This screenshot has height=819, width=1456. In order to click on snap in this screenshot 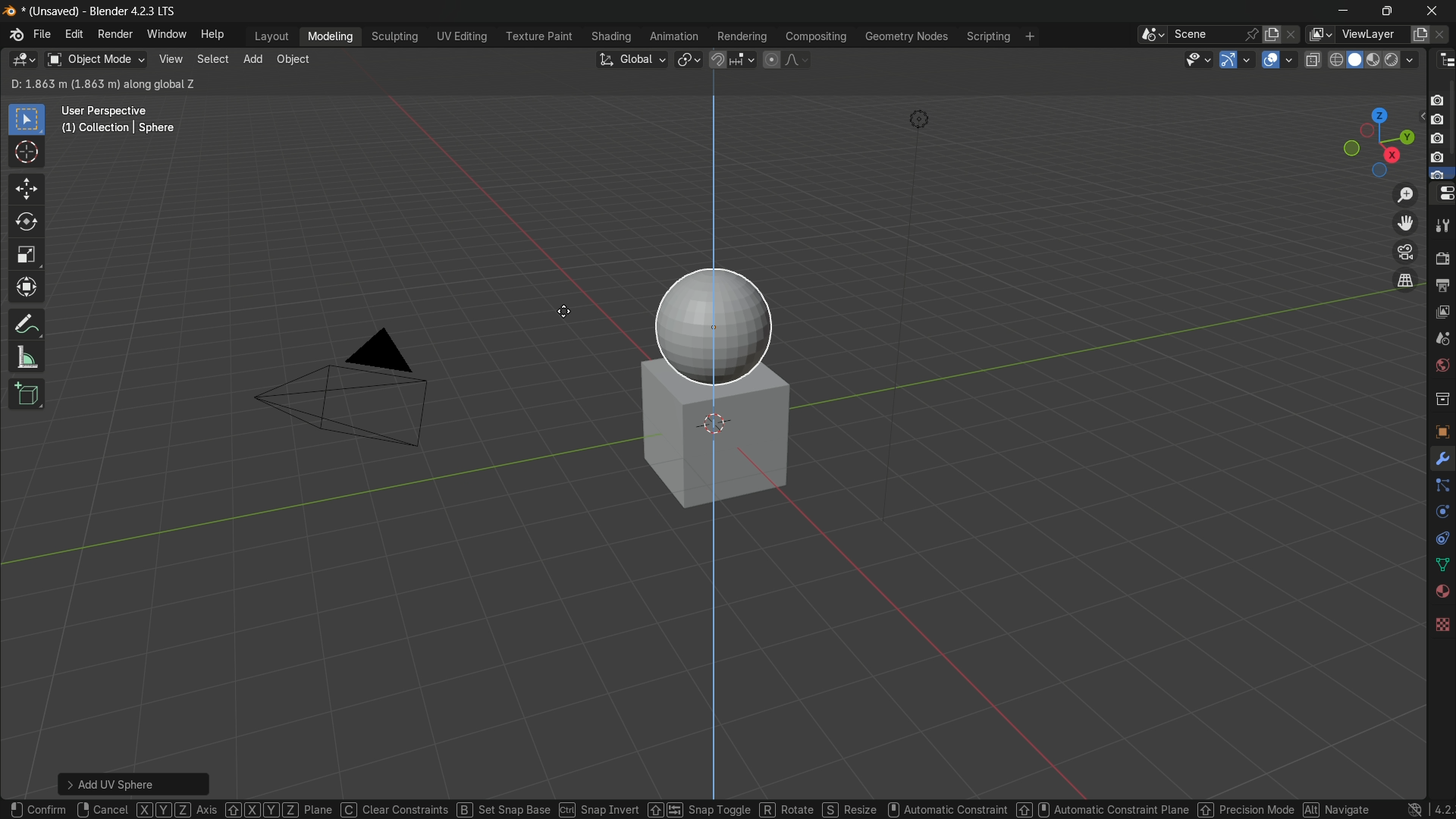, I will do `click(732, 59)`.